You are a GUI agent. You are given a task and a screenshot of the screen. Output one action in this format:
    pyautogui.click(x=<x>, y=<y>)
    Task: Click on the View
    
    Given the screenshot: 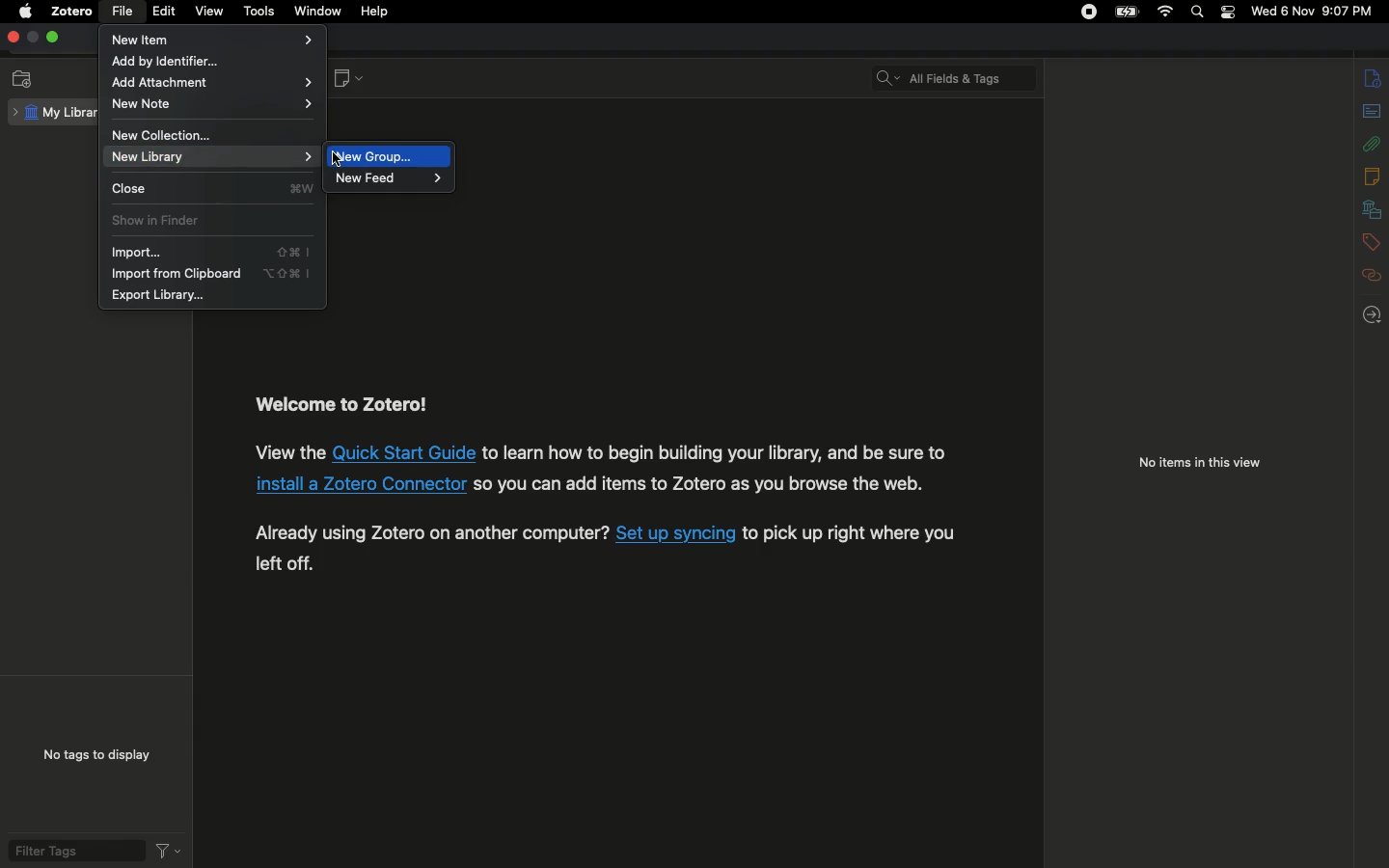 What is the action you would take?
    pyautogui.click(x=212, y=13)
    